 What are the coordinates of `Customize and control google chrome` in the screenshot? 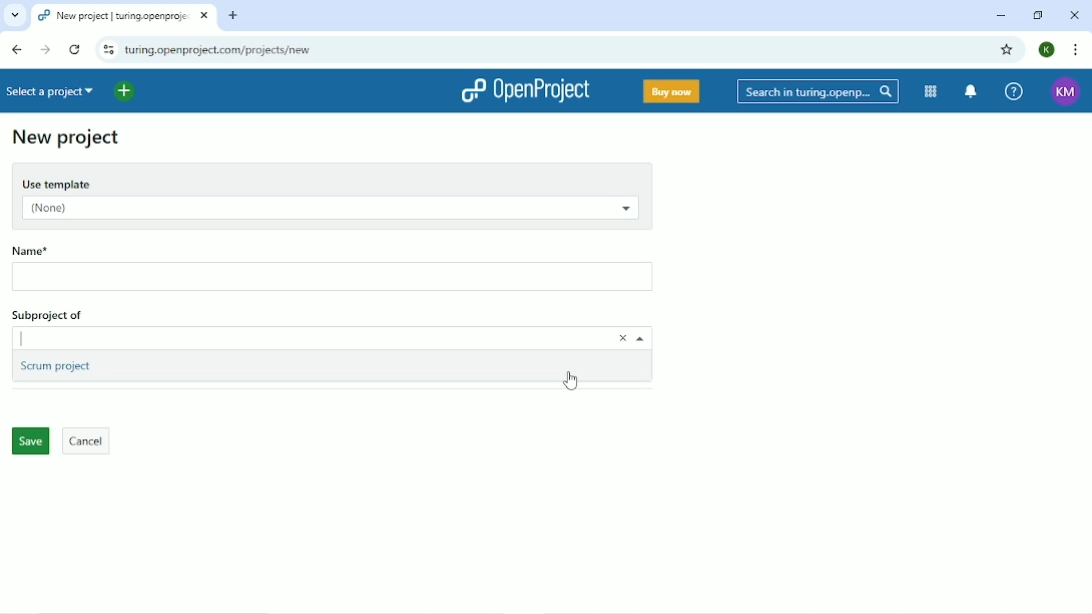 It's located at (1076, 49).